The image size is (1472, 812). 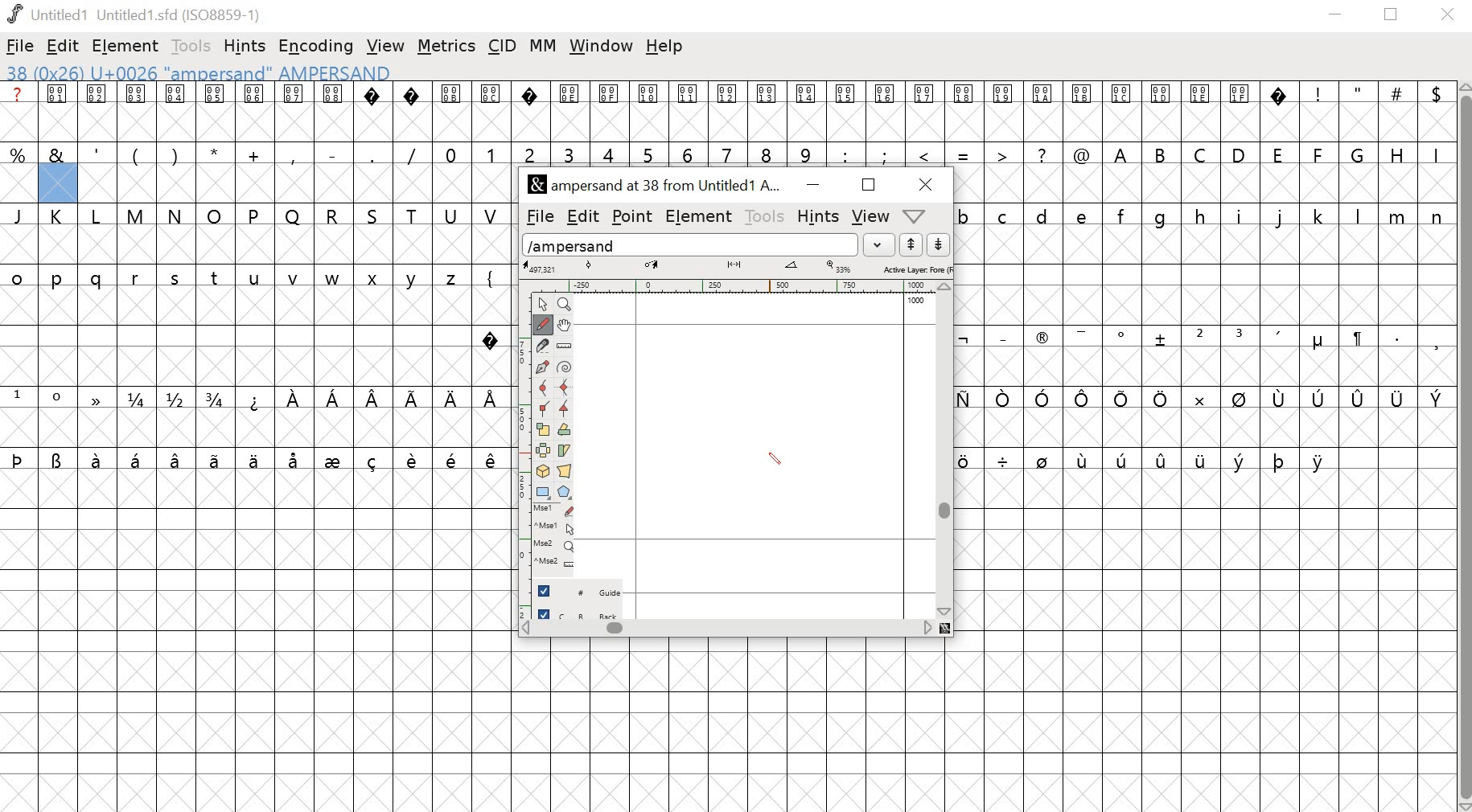 What do you see at coordinates (529, 153) in the screenshot?
I see `2` at bounding box center [529, 153].